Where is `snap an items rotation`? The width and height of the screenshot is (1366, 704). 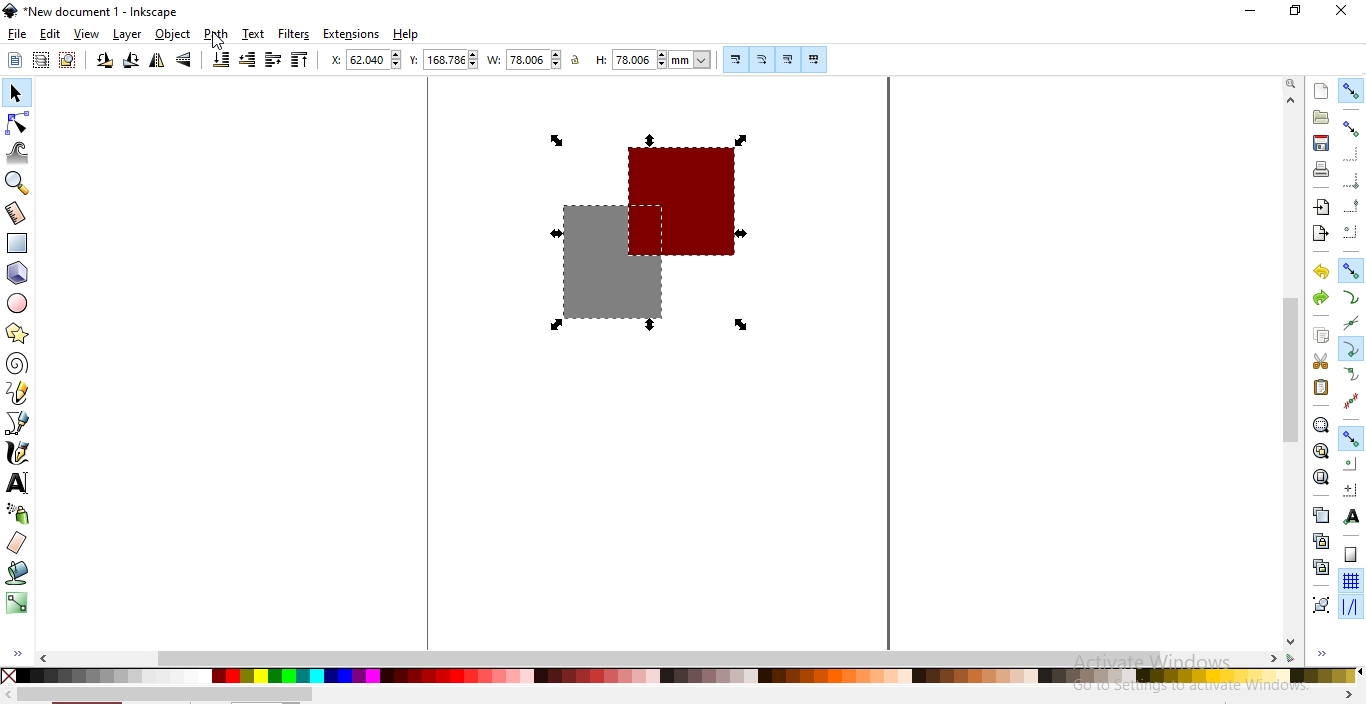 snap an items rotation is located at coordinates (1352, 490).